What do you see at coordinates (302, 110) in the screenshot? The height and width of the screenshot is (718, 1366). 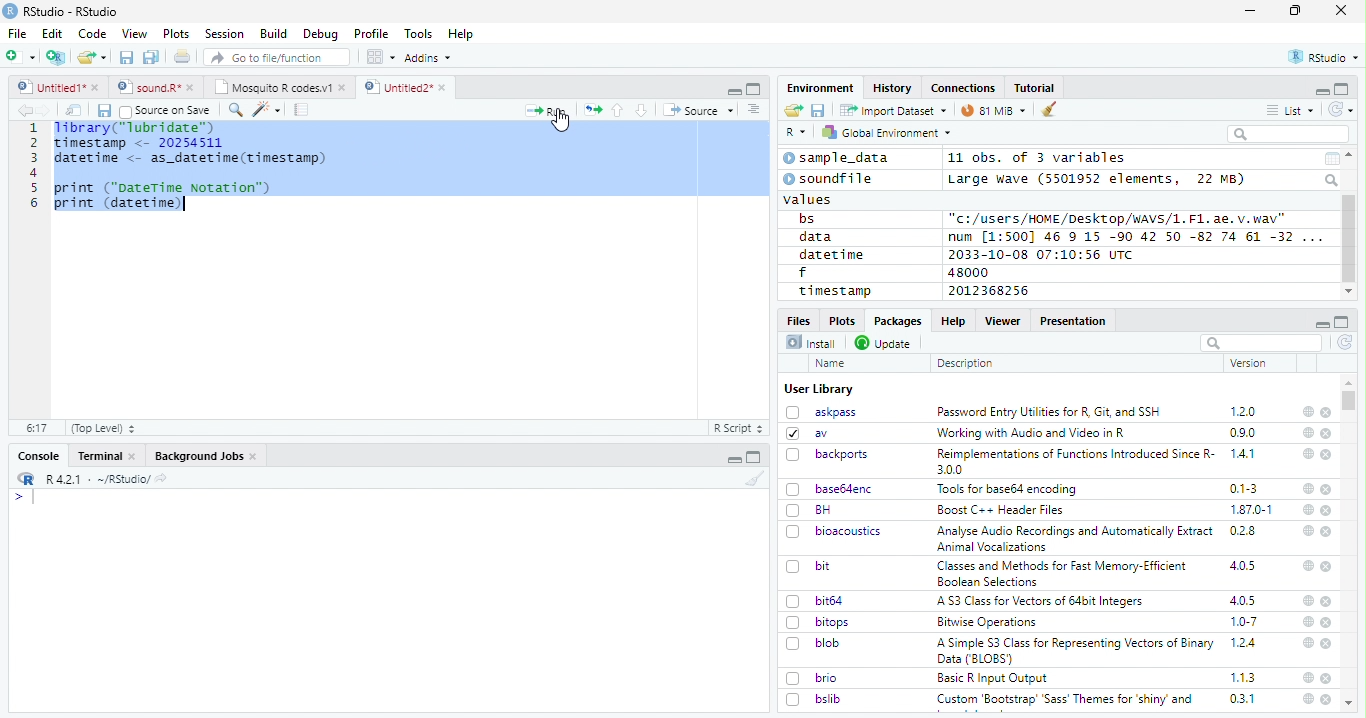 I see `Compile report` at bounding box center [302, 110].